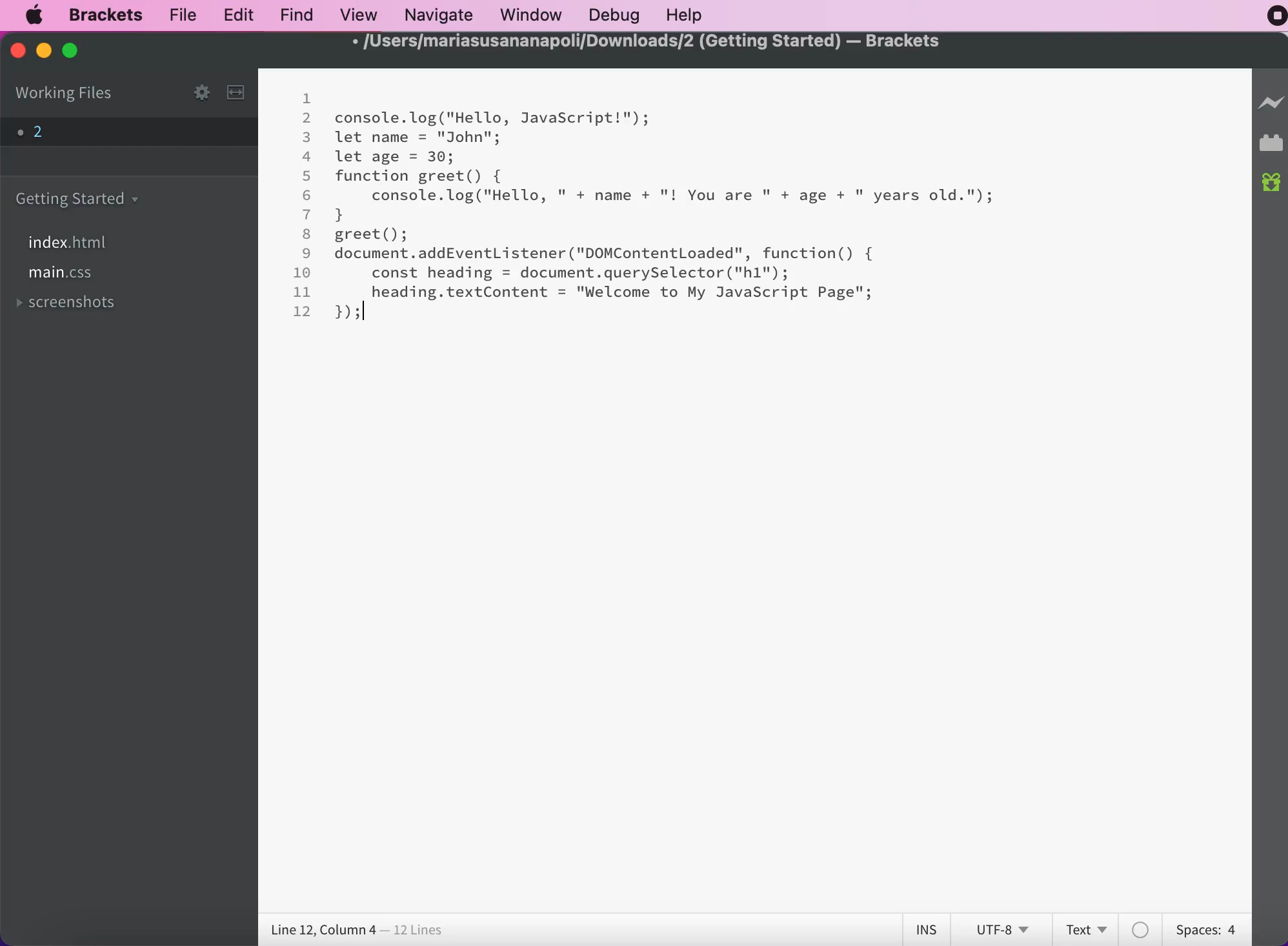  Describe the element at coordinates (77, 95) in the screenshot. I see `working files` at that location.